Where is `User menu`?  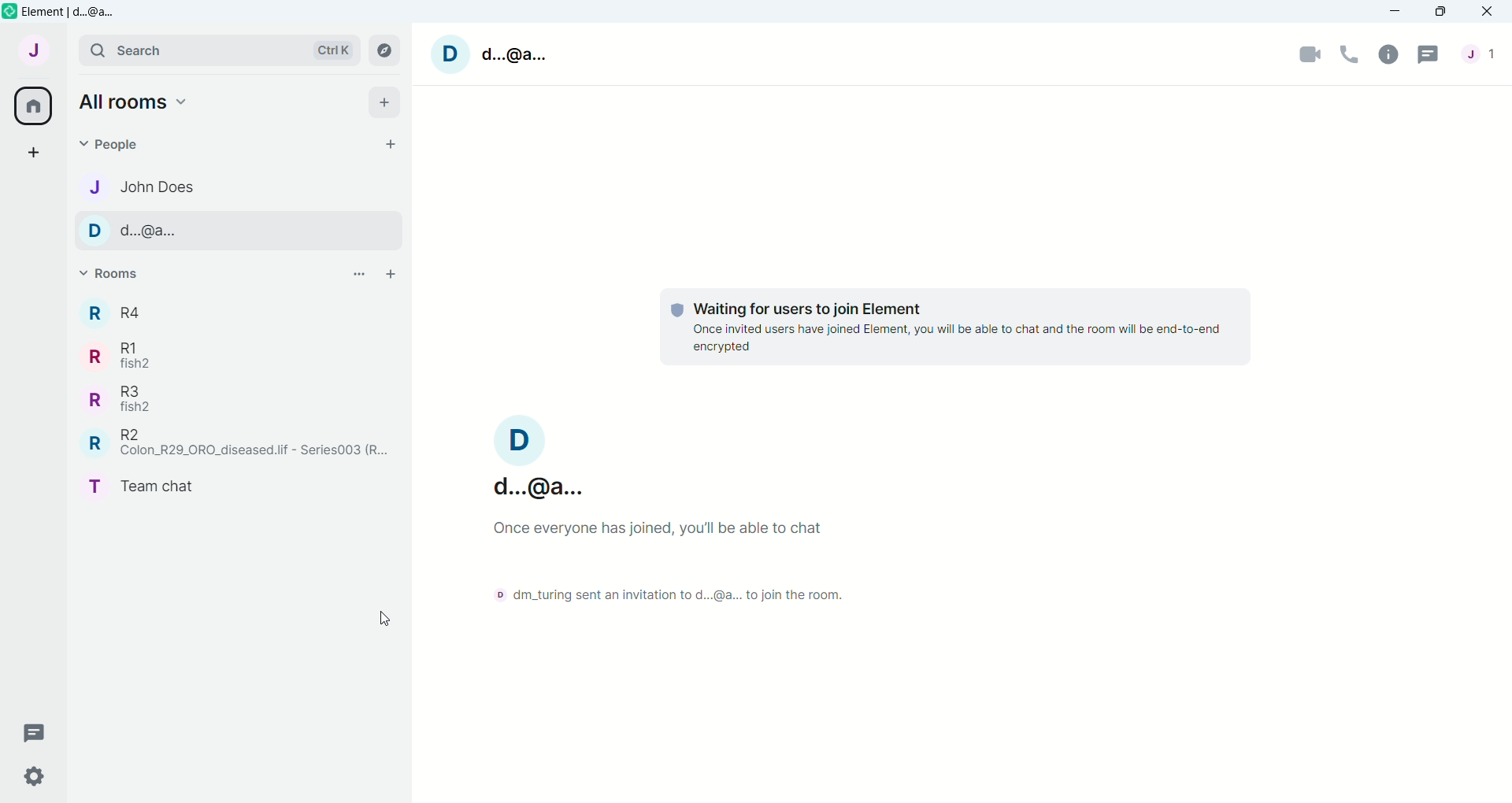
User menu is located at coordinates (35, 48).